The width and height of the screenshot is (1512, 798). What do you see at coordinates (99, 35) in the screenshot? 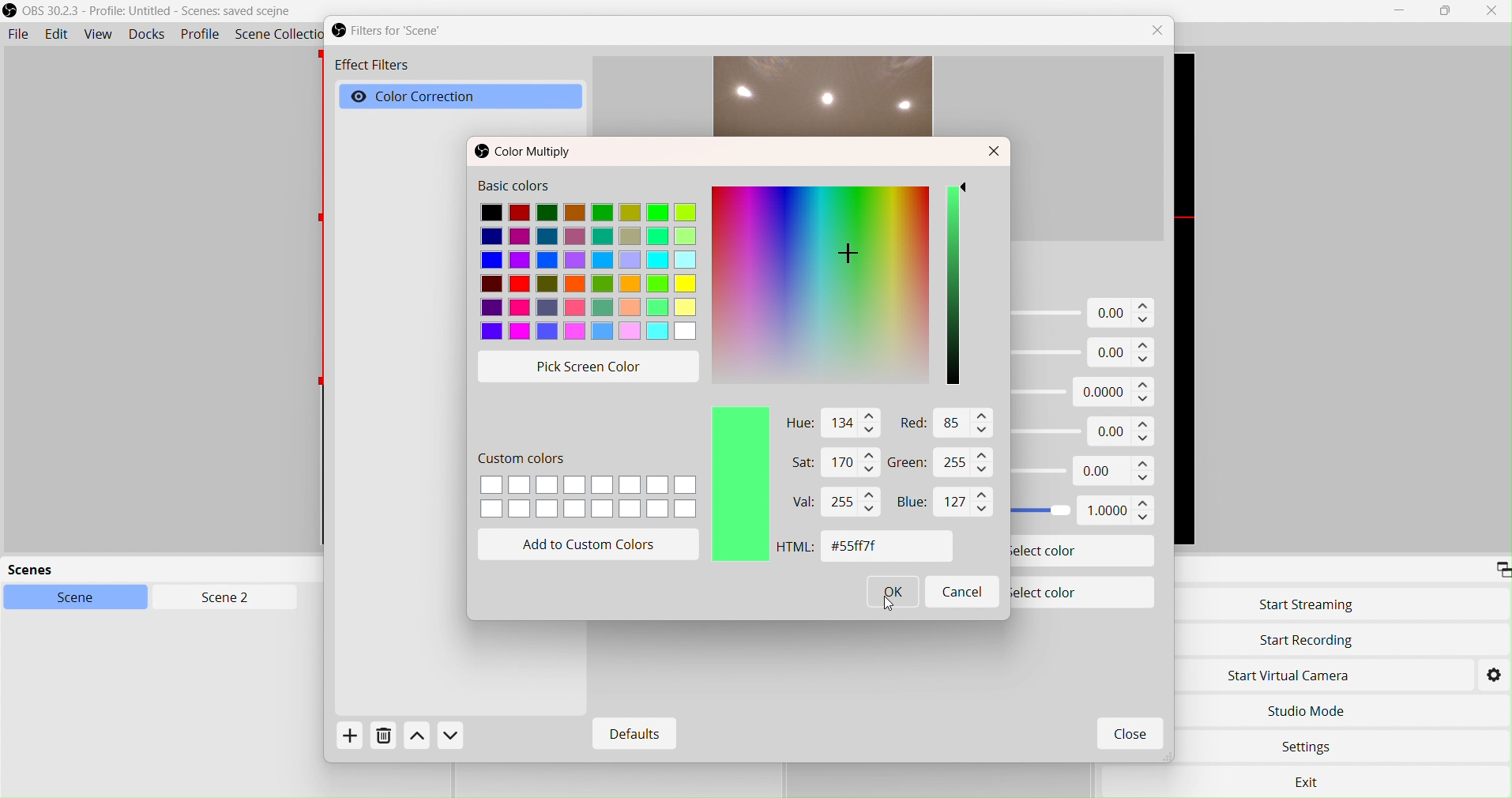
I see `View` at bounding box center [99, 35].